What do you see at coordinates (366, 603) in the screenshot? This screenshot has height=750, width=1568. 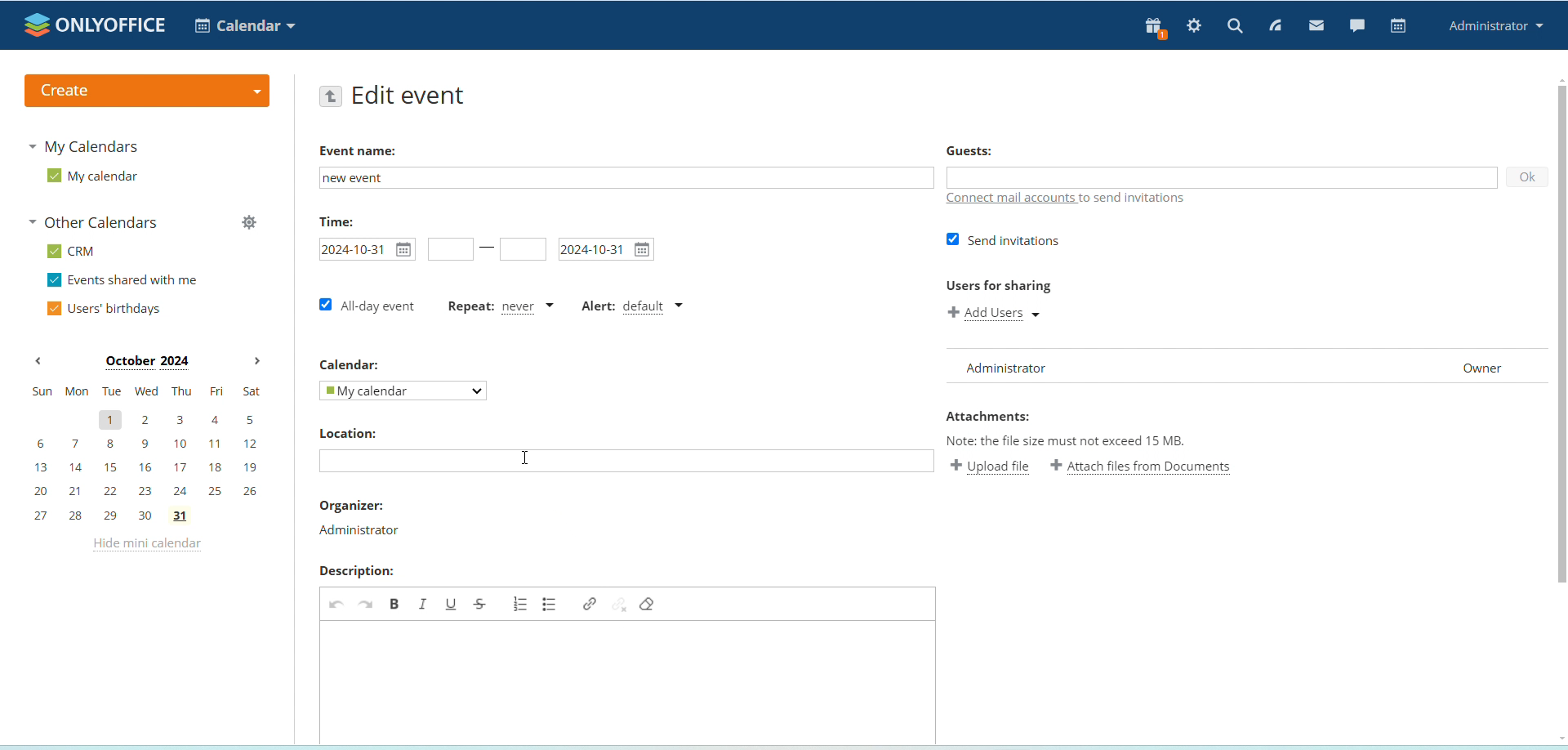 I see `redo` at bounding box center [366, 603].